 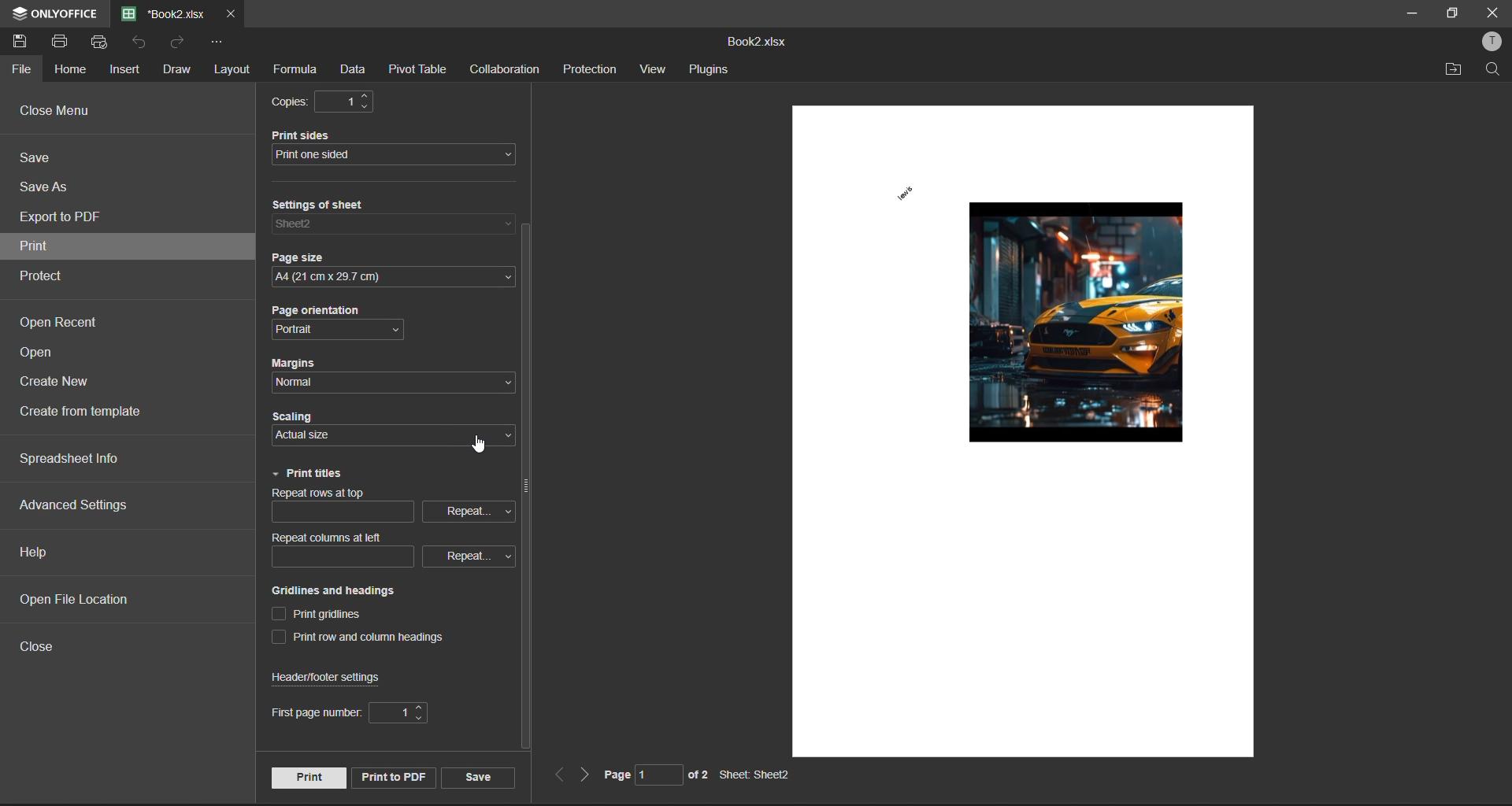 I want to click on repeat, so click(x=463, y=555).